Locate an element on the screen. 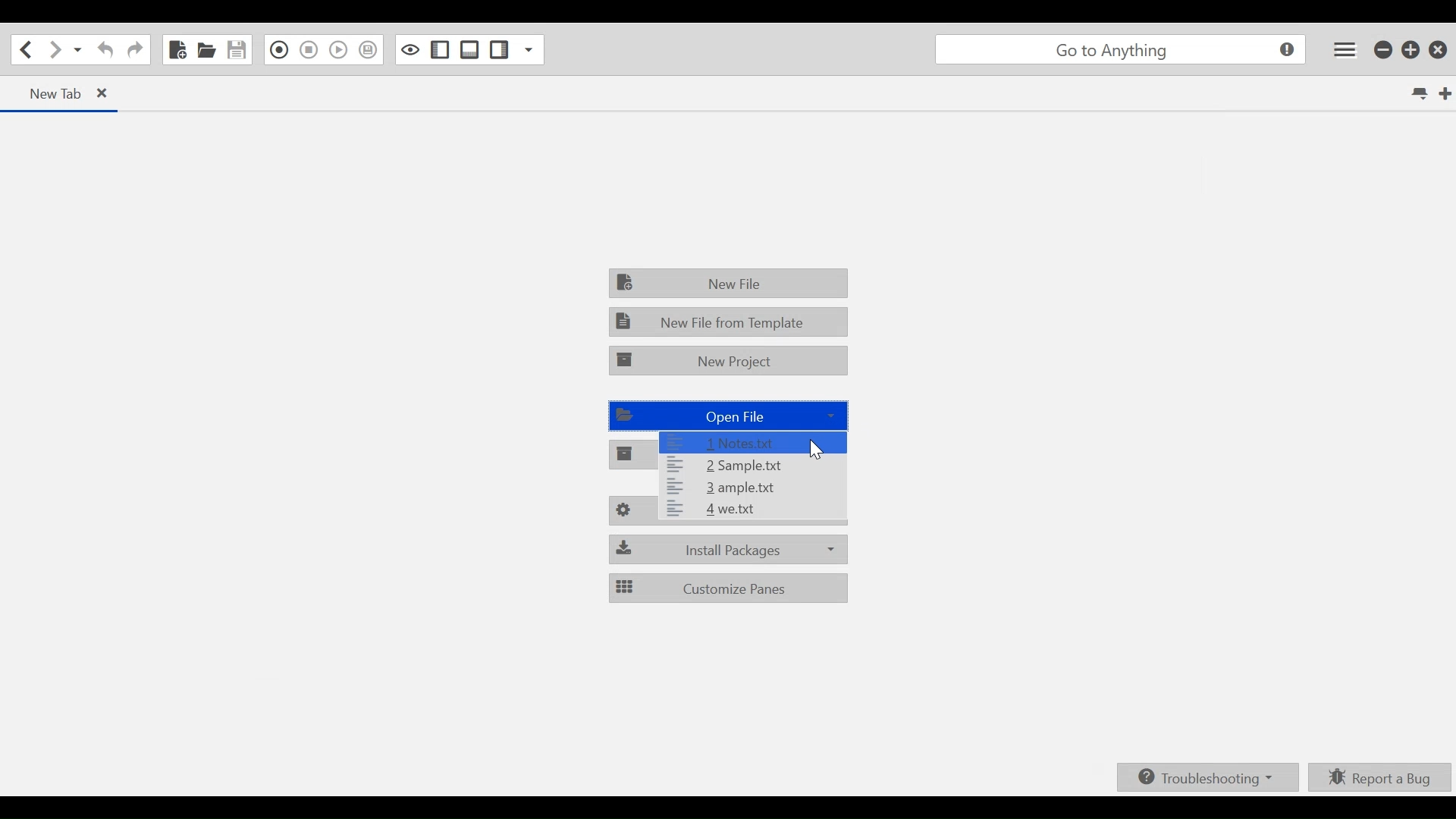  Recording Macro is located at coordinates (279, 50).